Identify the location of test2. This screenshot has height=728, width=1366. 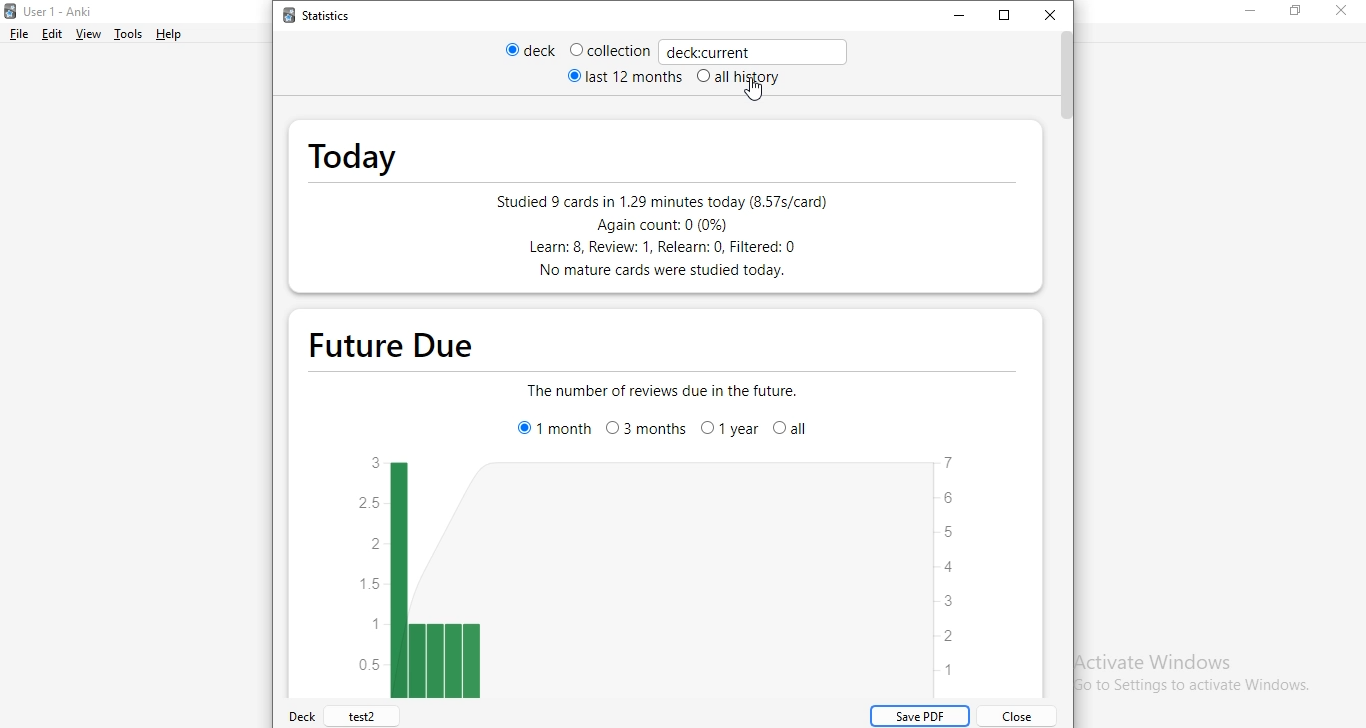
(363, 717).